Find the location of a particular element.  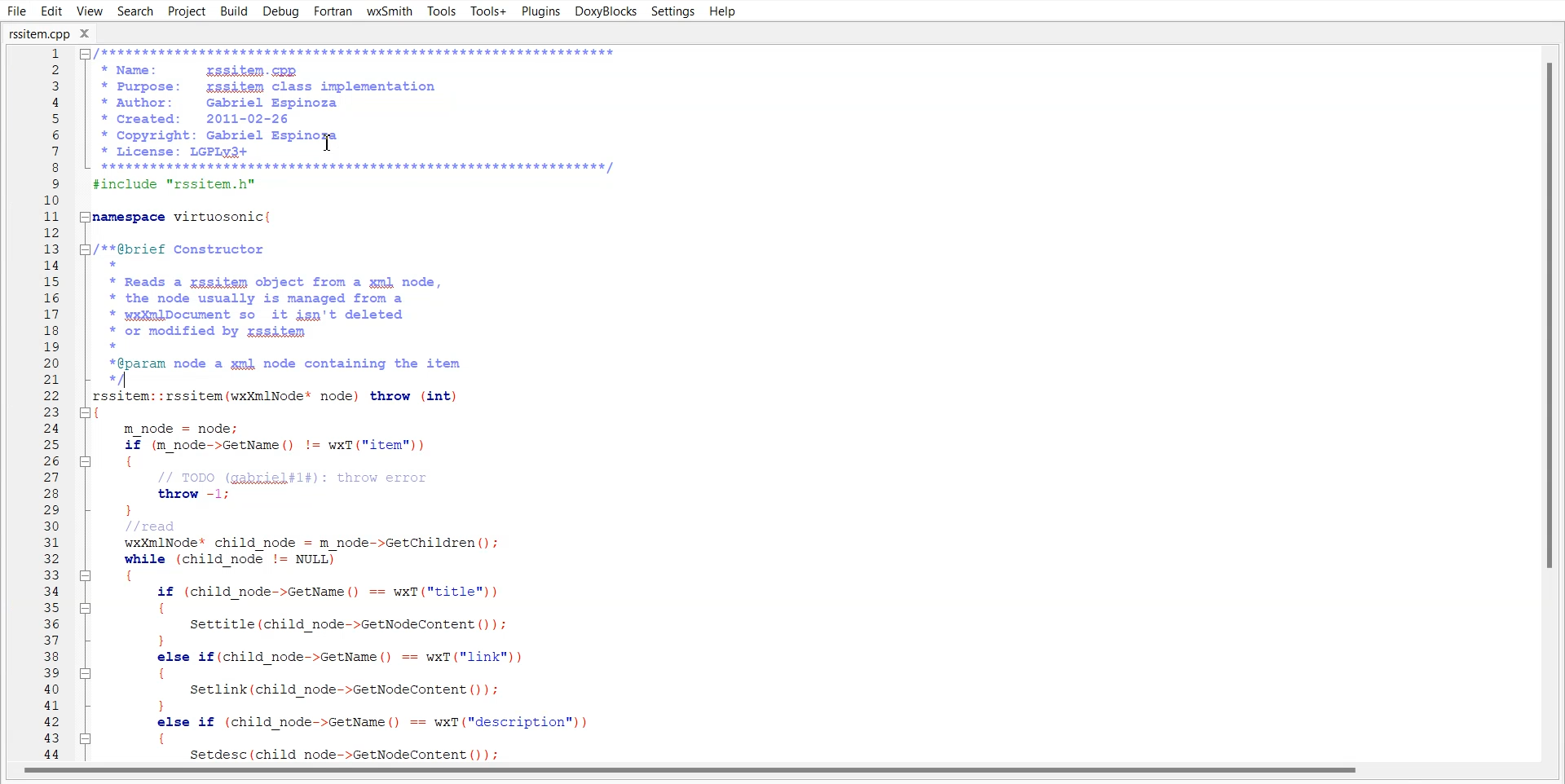

Debug is located at coordinates (281, 11).